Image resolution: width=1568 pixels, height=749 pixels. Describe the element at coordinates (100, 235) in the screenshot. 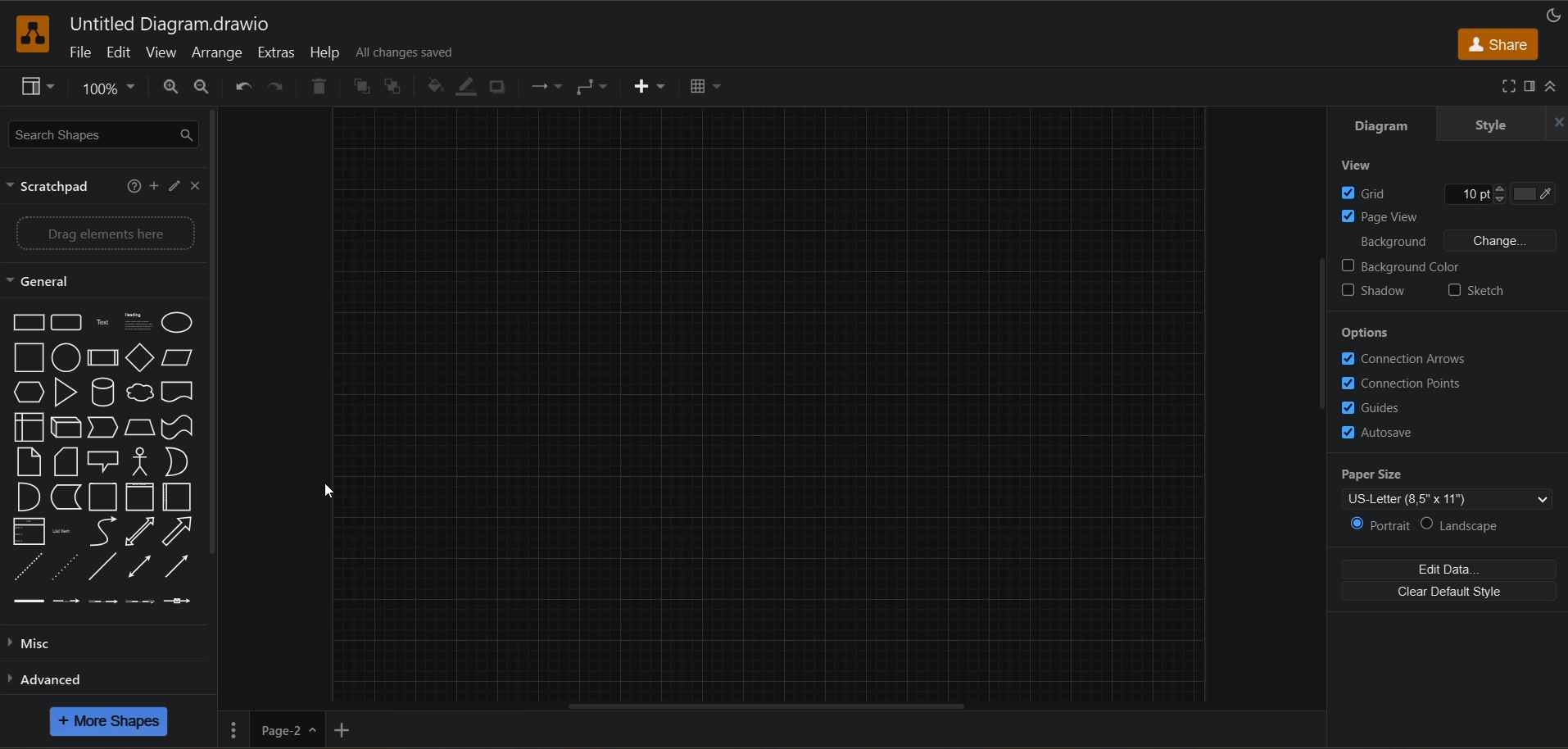

I see `drag elements here` at that location.